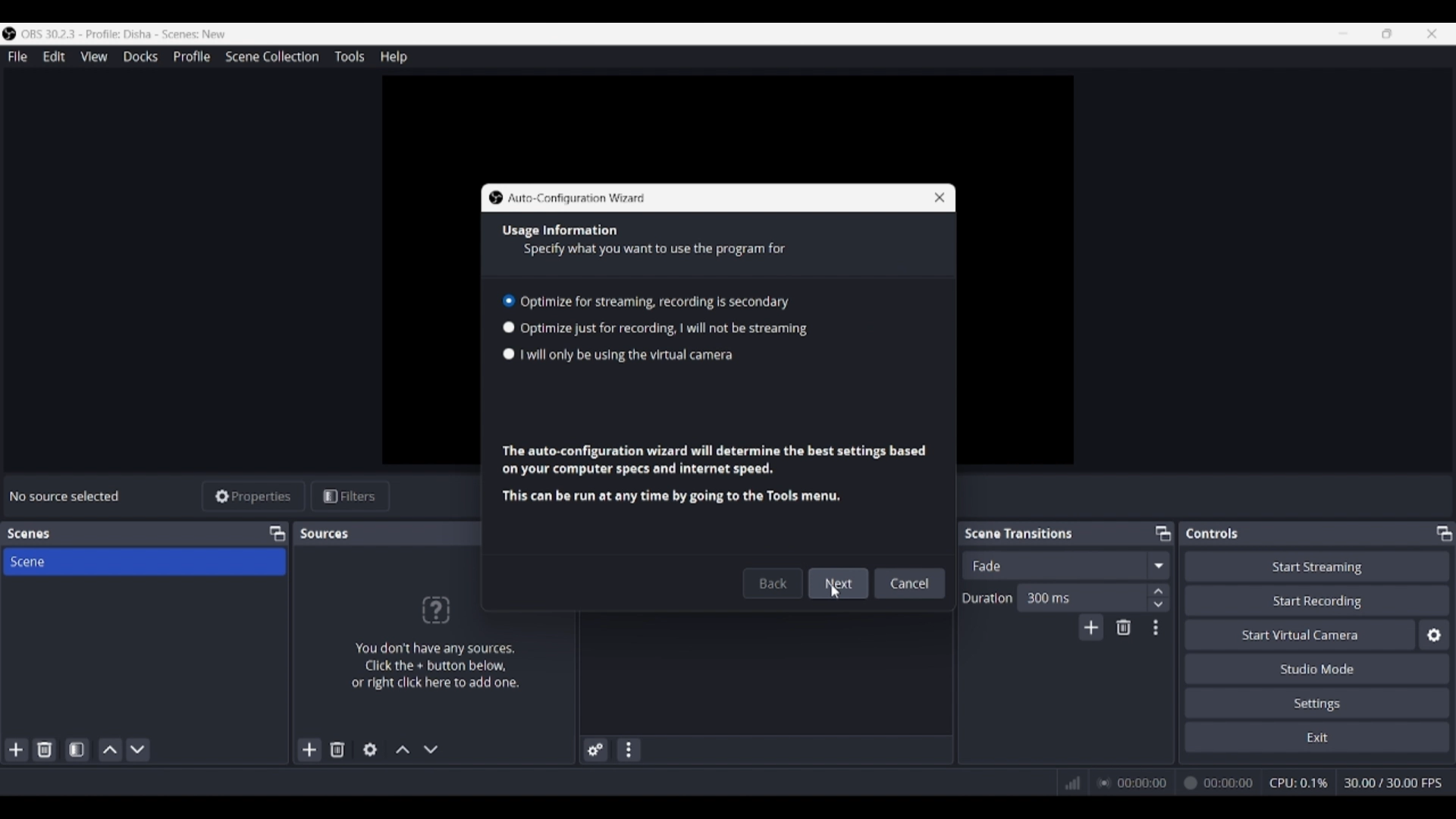  What do you see at coordinates (1432, 33) in the screenshot?
I see `Close interface` at bounding box center [1432, 33].